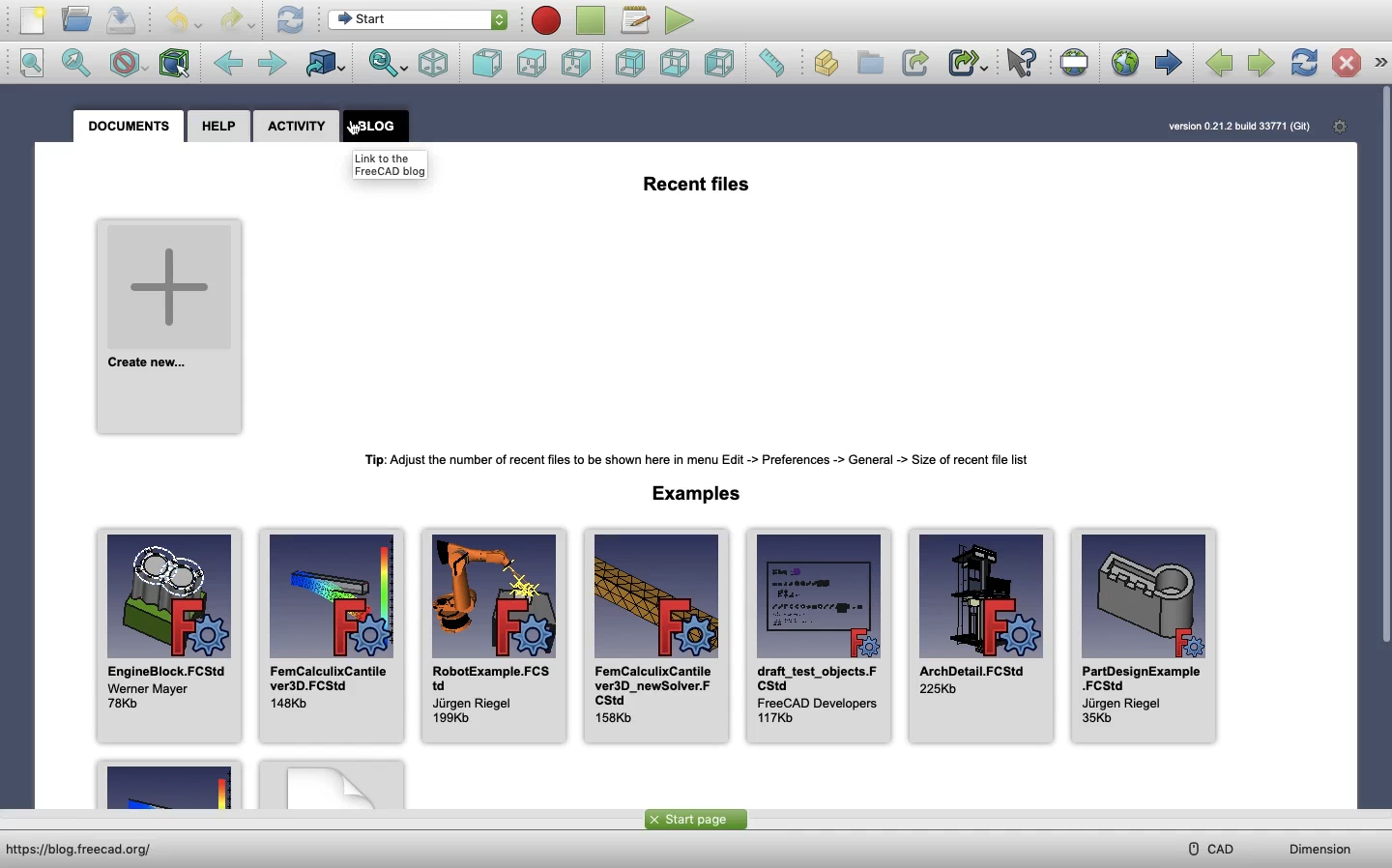 The image size is (1392, 868). I want to click on PartDesignExample, so click(1147, 634).